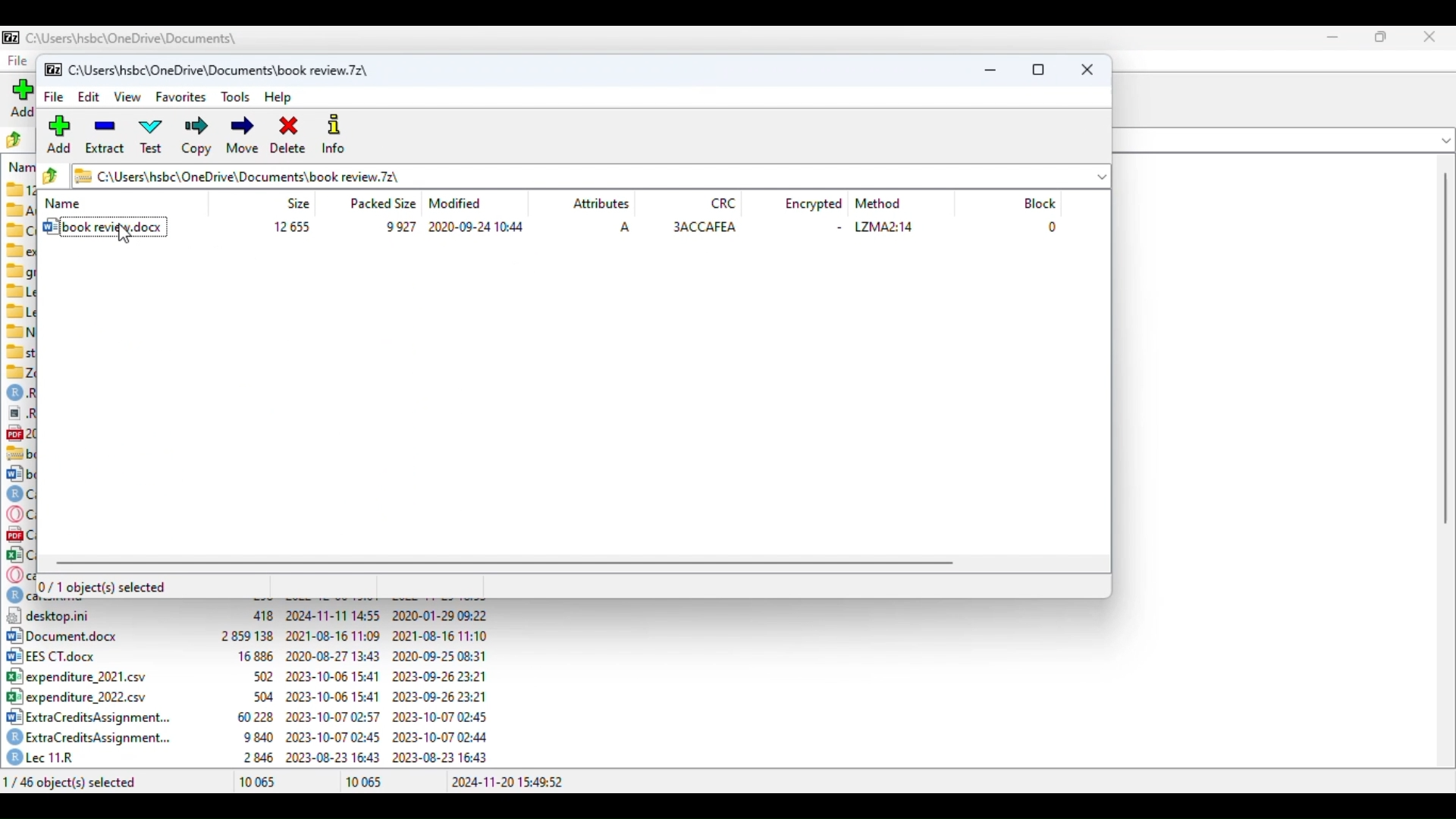 This screenshot has width=1456, height=819. Describe the element at coordinates (1054, 227) in the screenshot. I see `0` at that location.